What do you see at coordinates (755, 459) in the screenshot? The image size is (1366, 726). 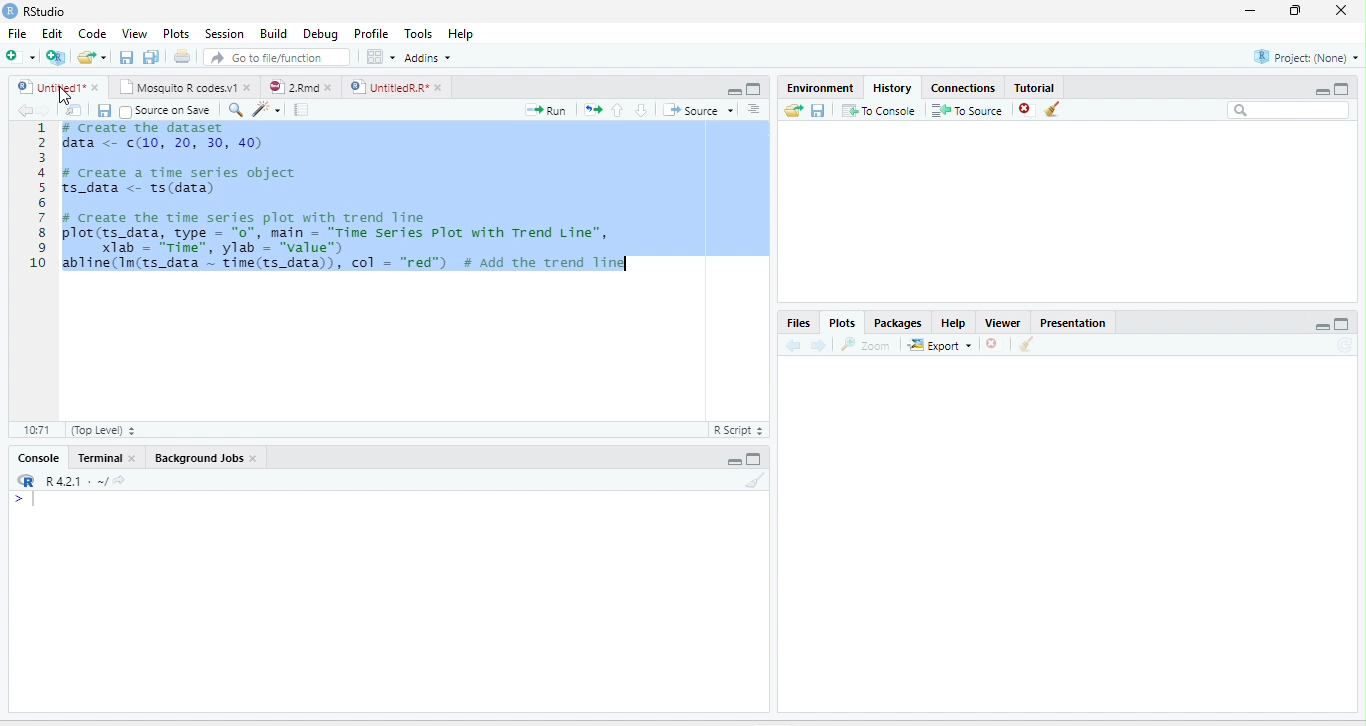 I see `Maximize` at bounding box center [755, 459].